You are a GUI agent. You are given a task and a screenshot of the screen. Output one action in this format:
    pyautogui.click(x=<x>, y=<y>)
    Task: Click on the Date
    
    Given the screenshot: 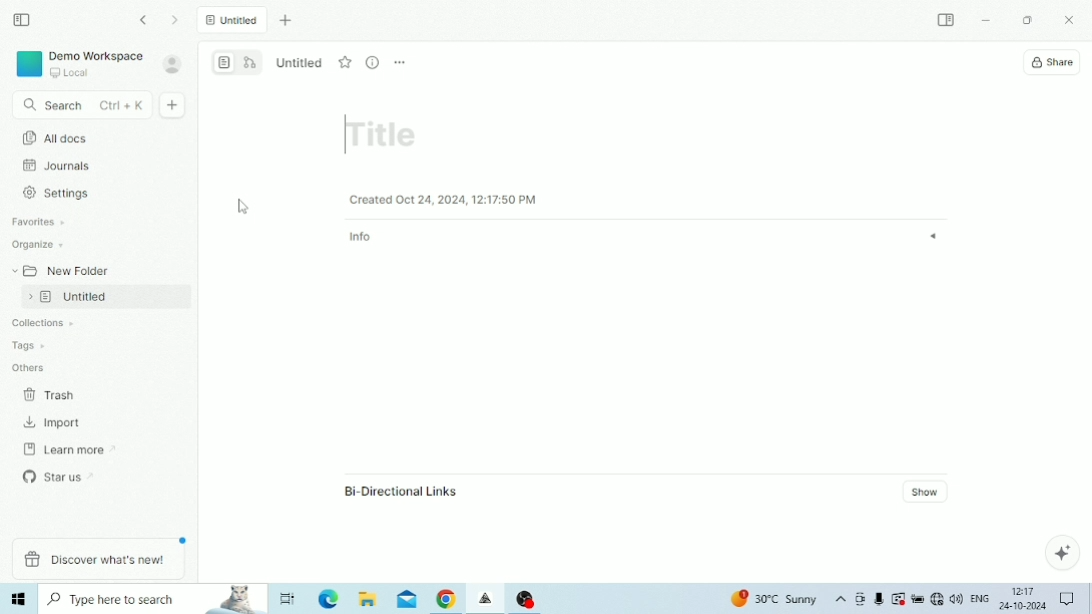 What is the action you would take?
    pyautogui.click(x=1022, y=606)
    